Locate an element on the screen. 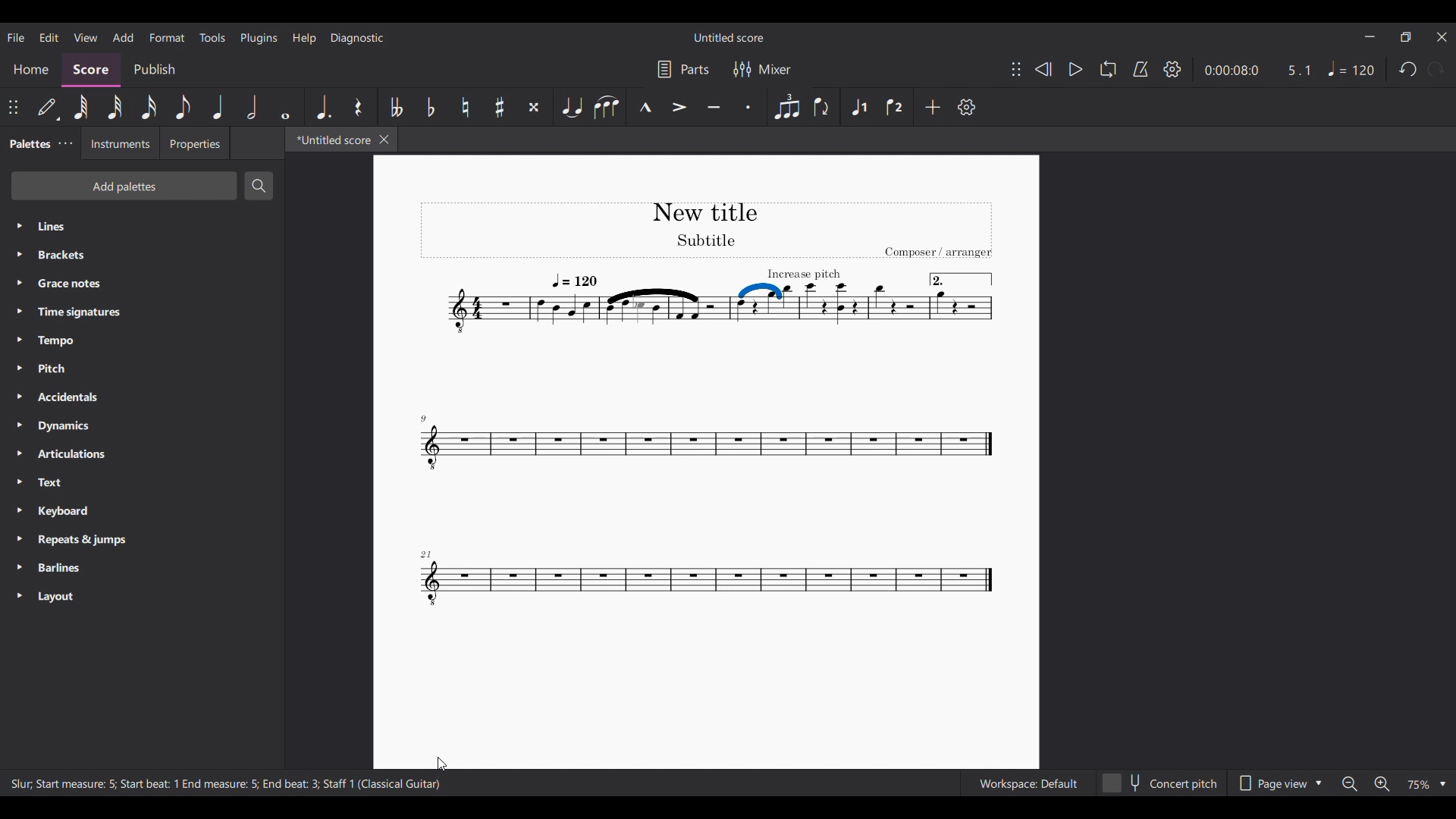  Toggle double flat is located at coordinates (397, 107).